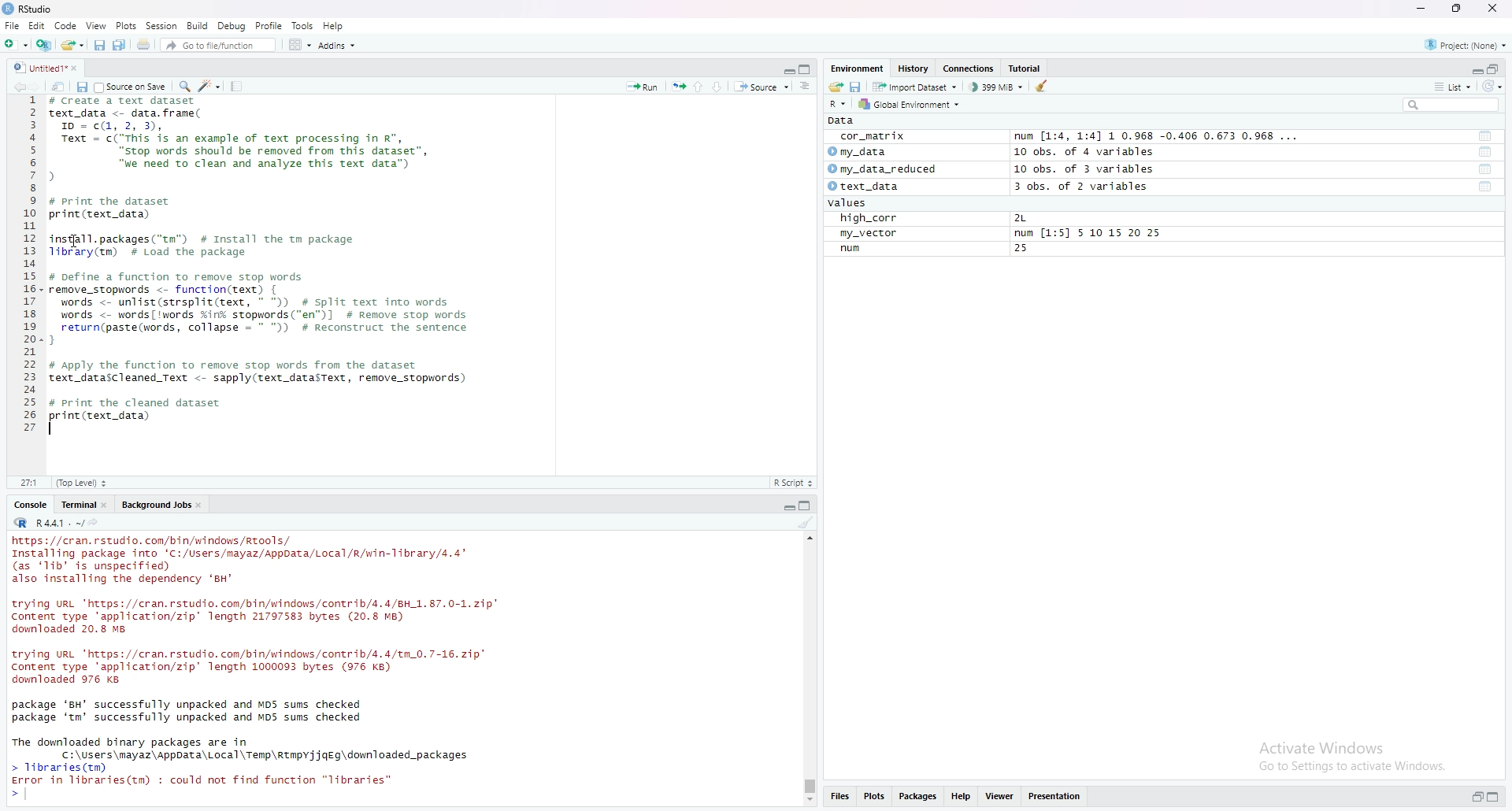  Describe the element at coordinates (124, 46) in the screenshot. I see `save all open documents` at that location.